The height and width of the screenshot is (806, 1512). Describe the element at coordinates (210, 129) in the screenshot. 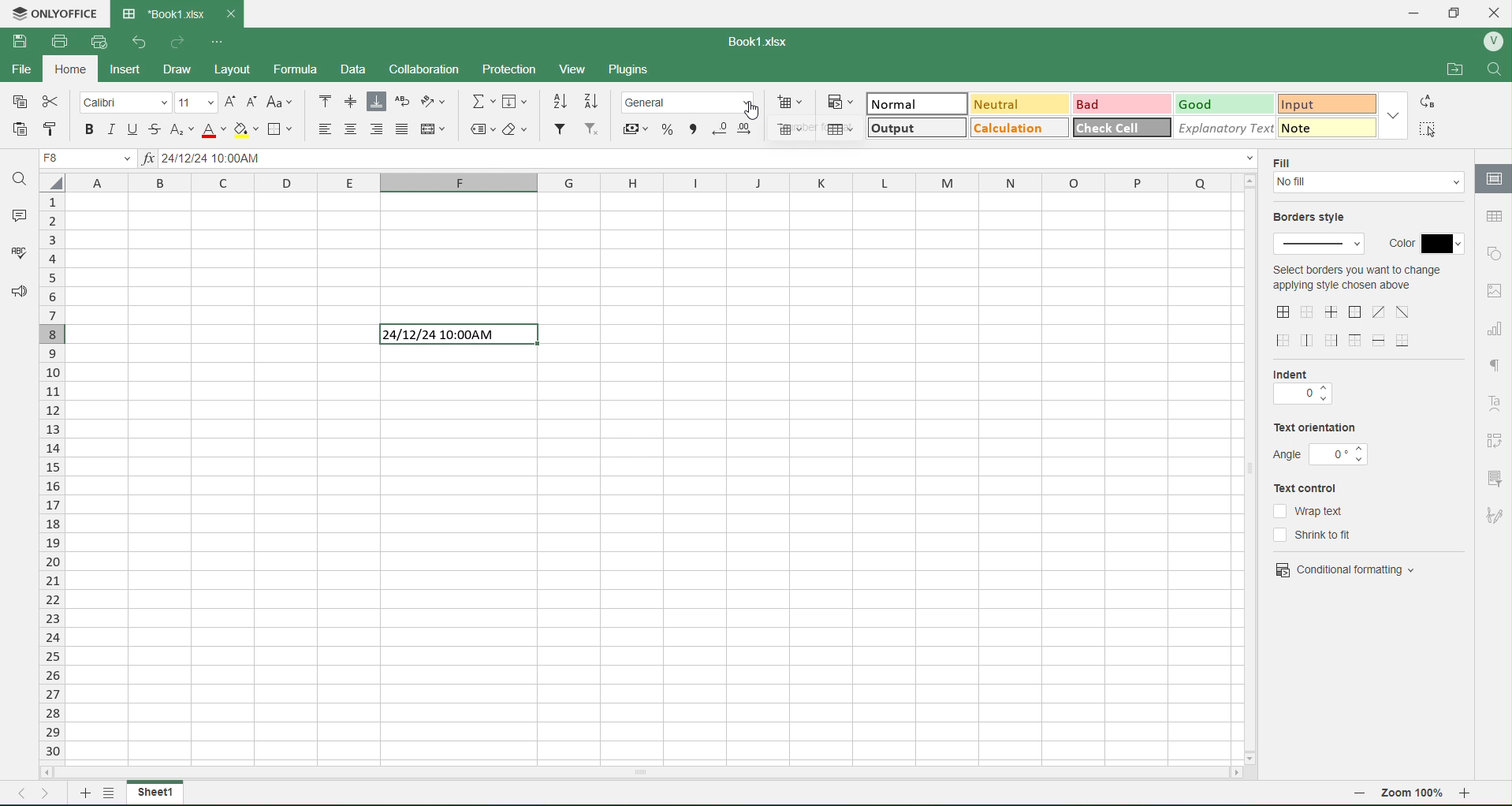

I see `Font Color` at that location.